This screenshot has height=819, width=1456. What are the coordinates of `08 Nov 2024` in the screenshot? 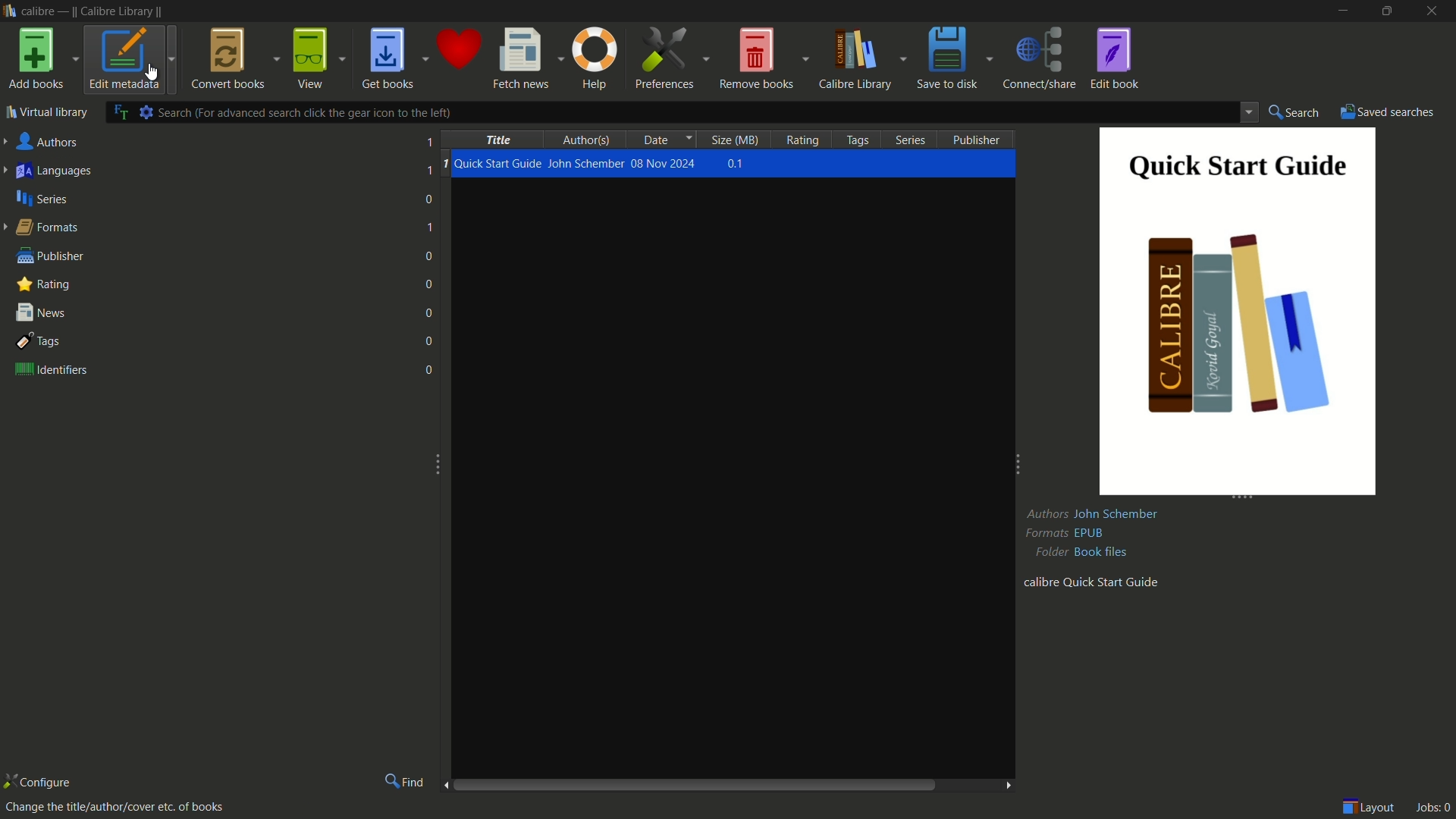 It's located at (662, 163).